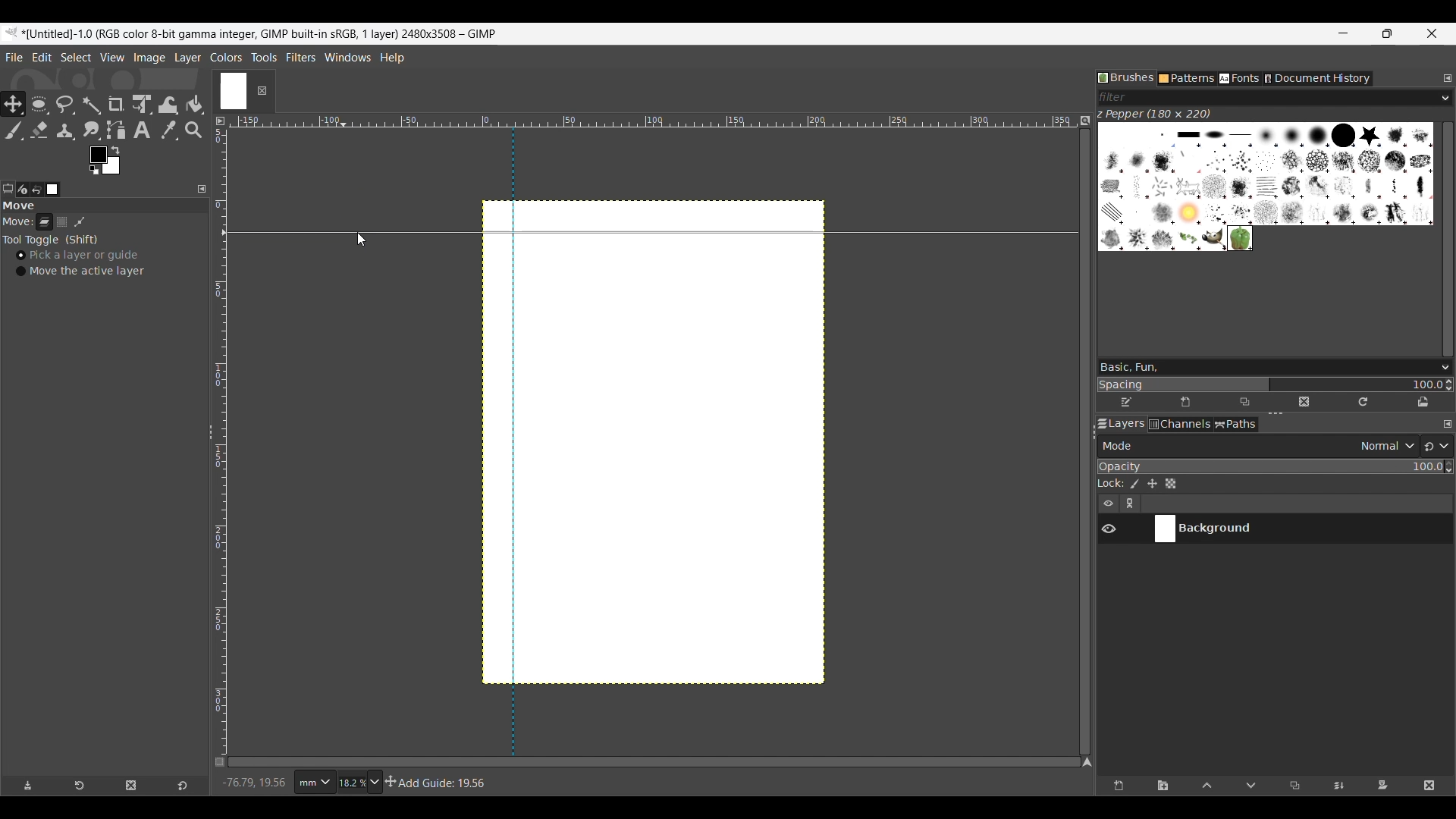 This screenshot has height=819, width=1456. What do you see at coordinates (187, 58) in the screenshot?
I see `Layer menu` at bounding box center [187, 58].